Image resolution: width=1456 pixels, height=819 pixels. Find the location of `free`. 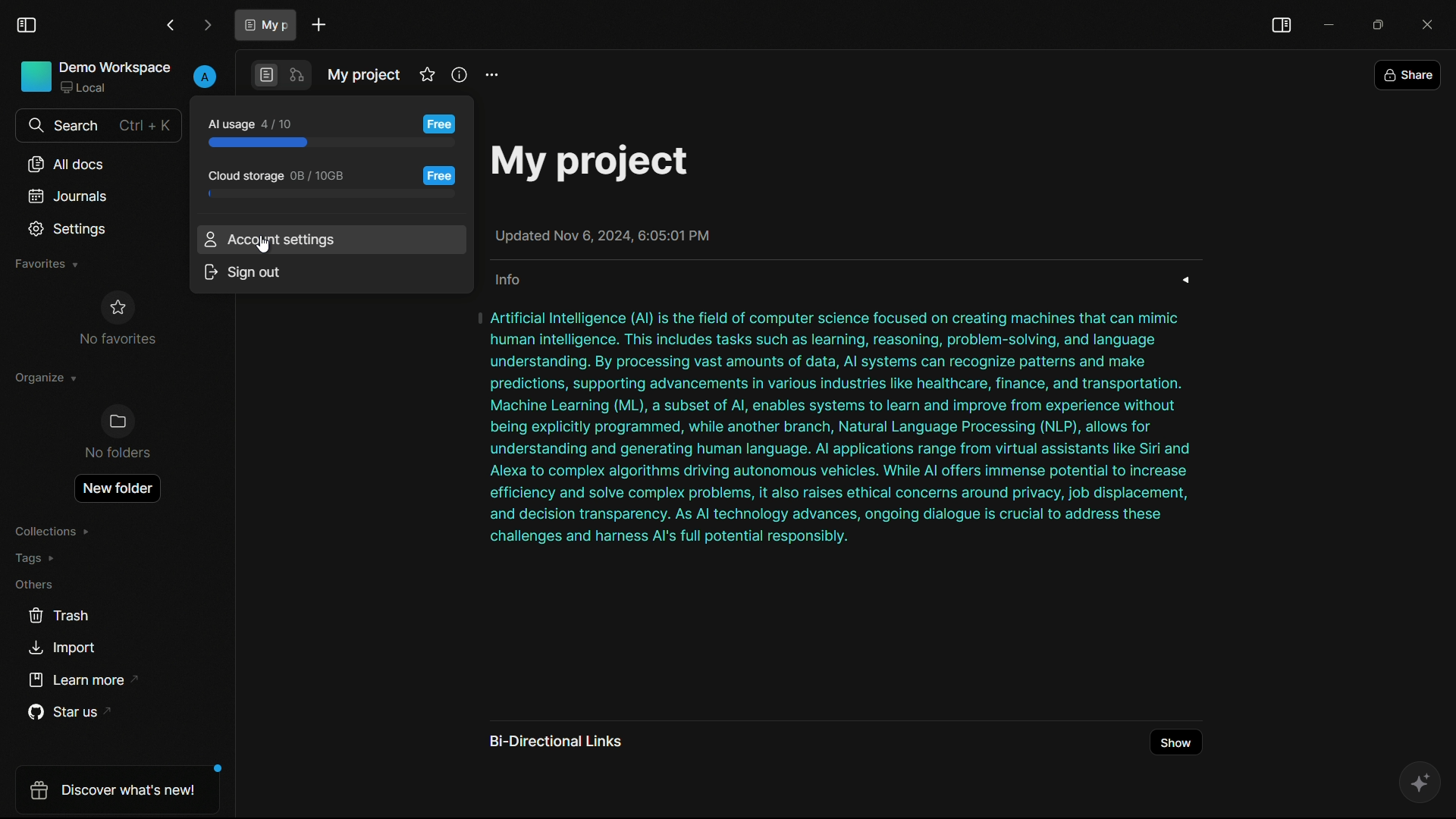

free is located at coordinates (440, 124).